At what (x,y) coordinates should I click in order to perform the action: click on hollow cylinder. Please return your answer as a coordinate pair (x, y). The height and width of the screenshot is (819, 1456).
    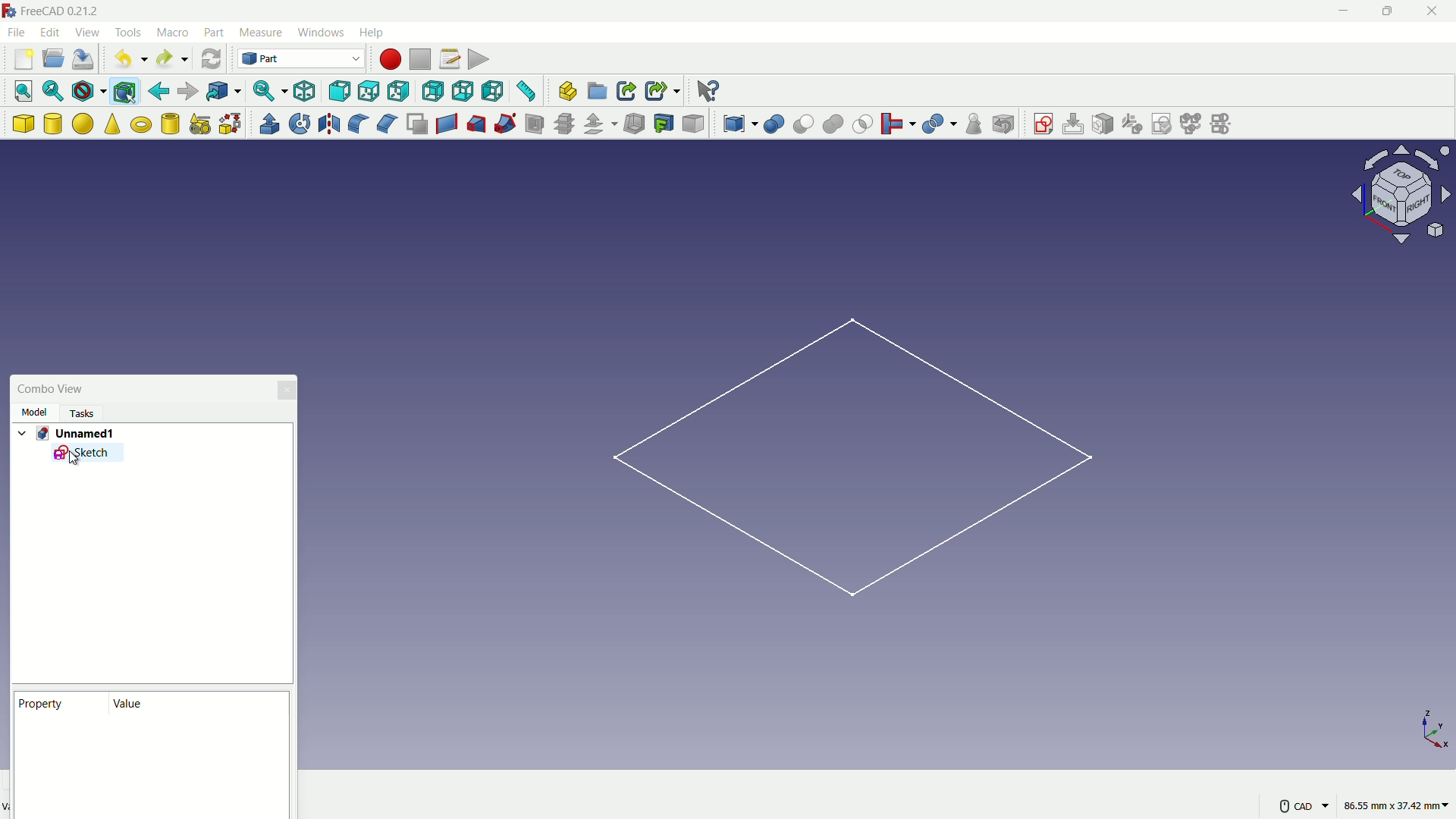
    Looking at the image, I should click on (171, 124).